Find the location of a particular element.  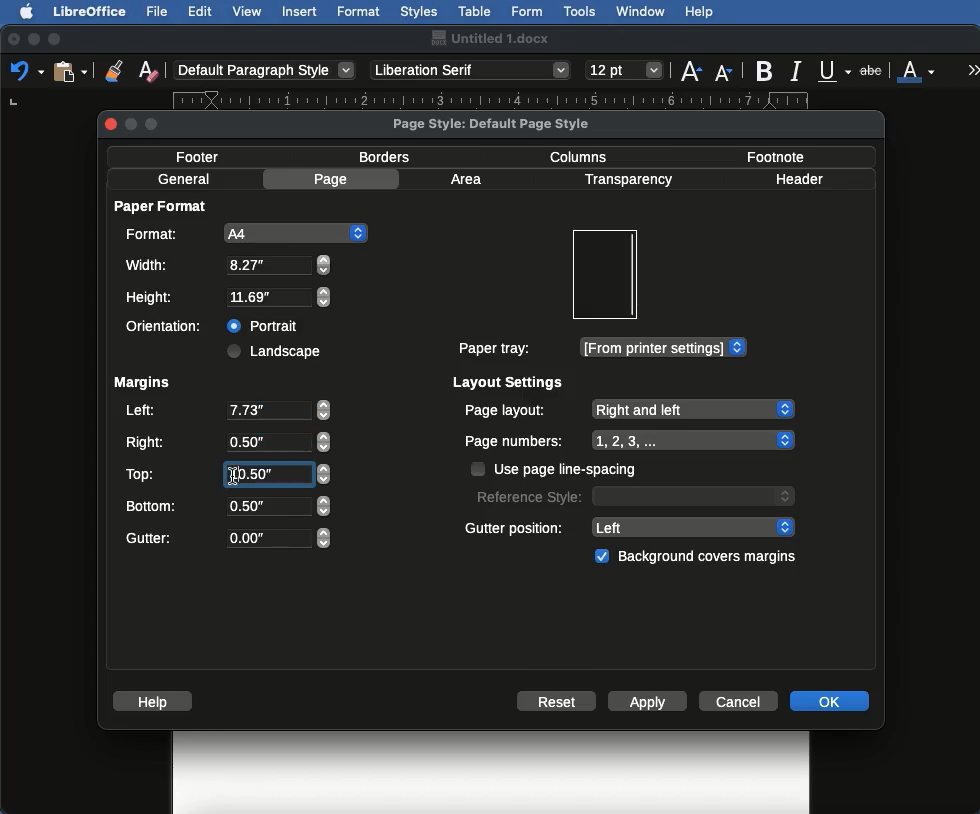

A4 is located at coordinates (243, 233).